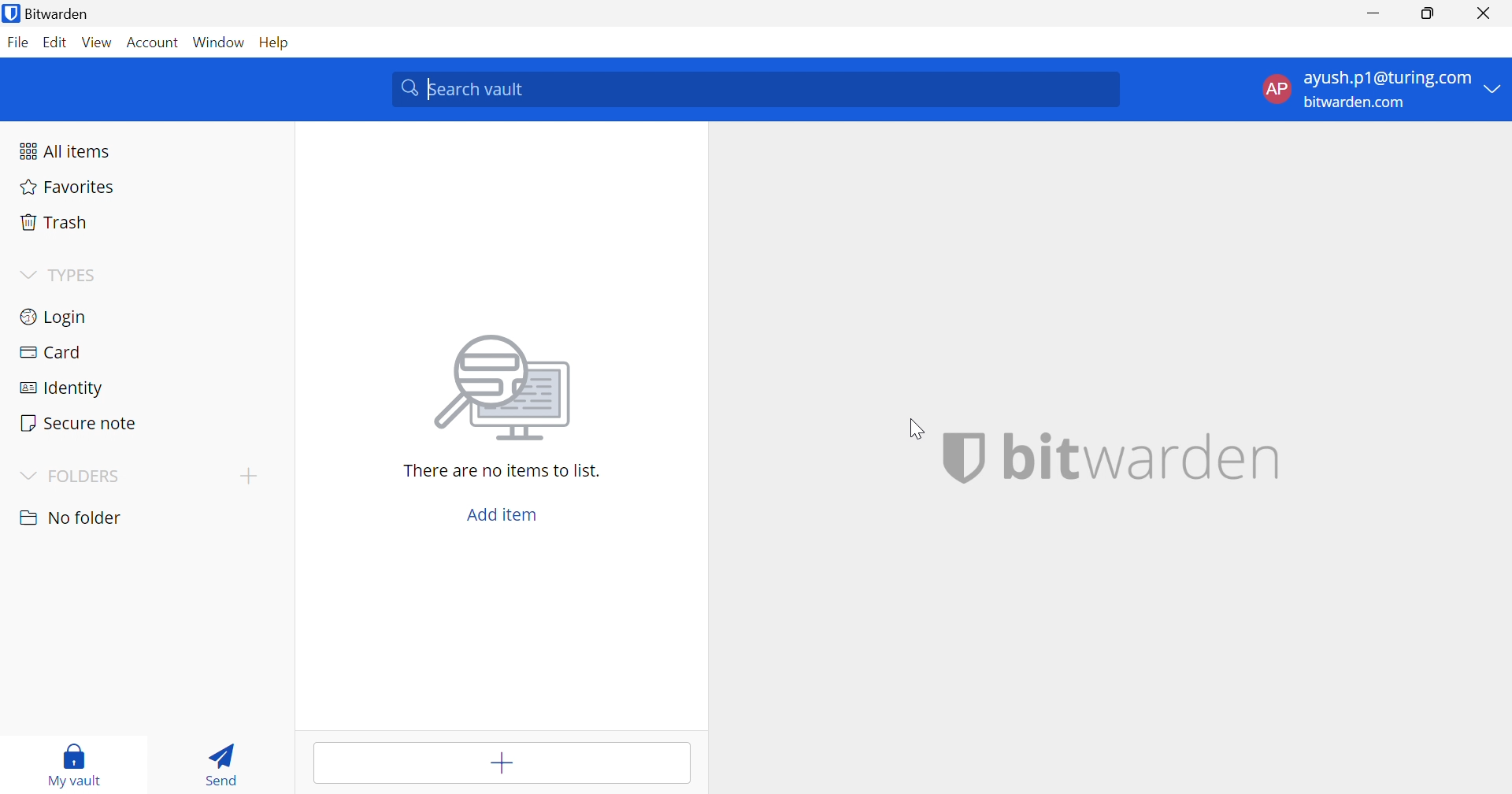 The width and height of the screenshot is (1512, 794). What do you see at coordinates (54, 319) in the screenshot?
I see `Login` at bounding box center [54, 319].